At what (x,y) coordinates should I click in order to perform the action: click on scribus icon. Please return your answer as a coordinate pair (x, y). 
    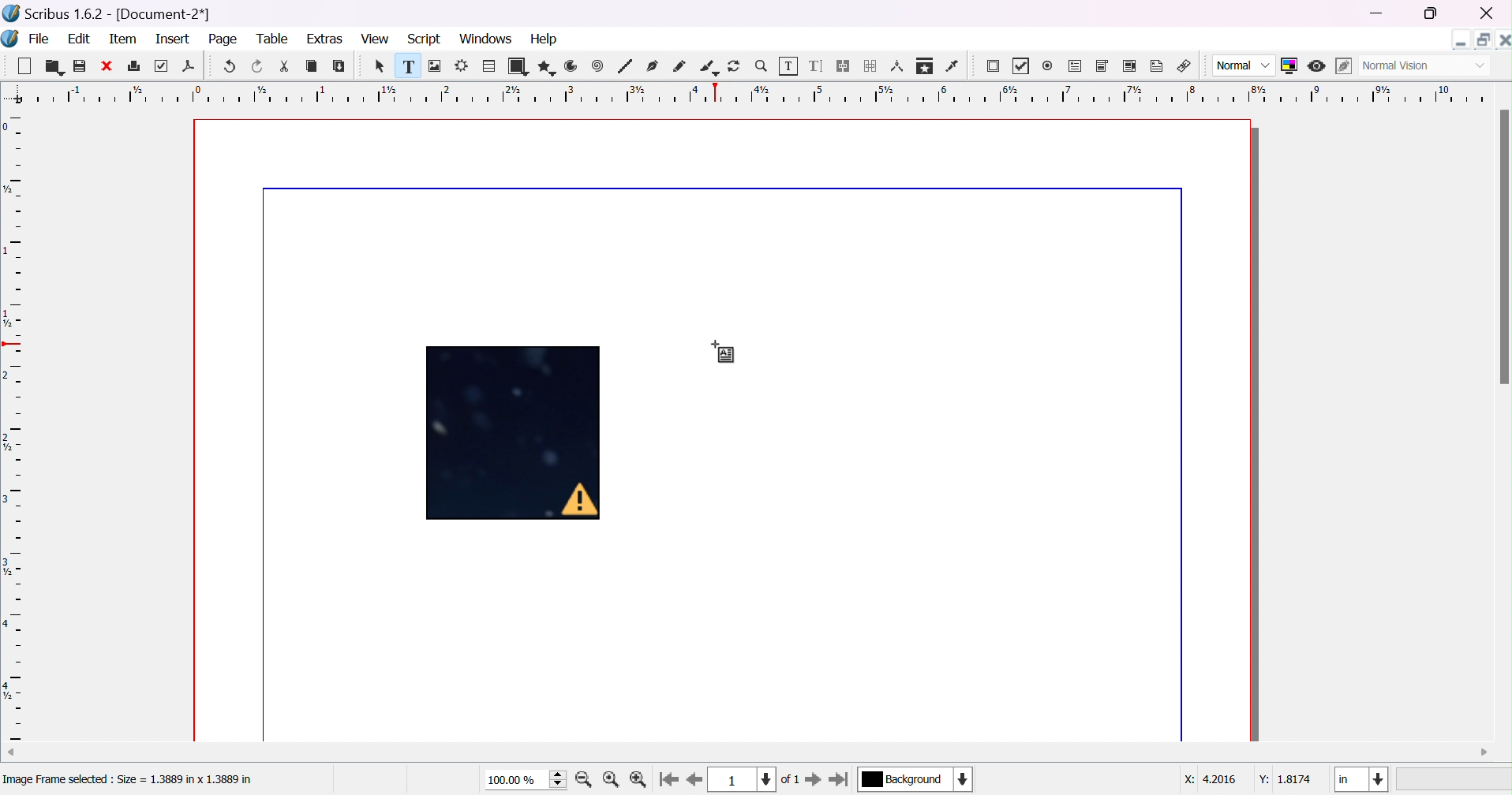
    Looking at the image, I should click on (10, 38).